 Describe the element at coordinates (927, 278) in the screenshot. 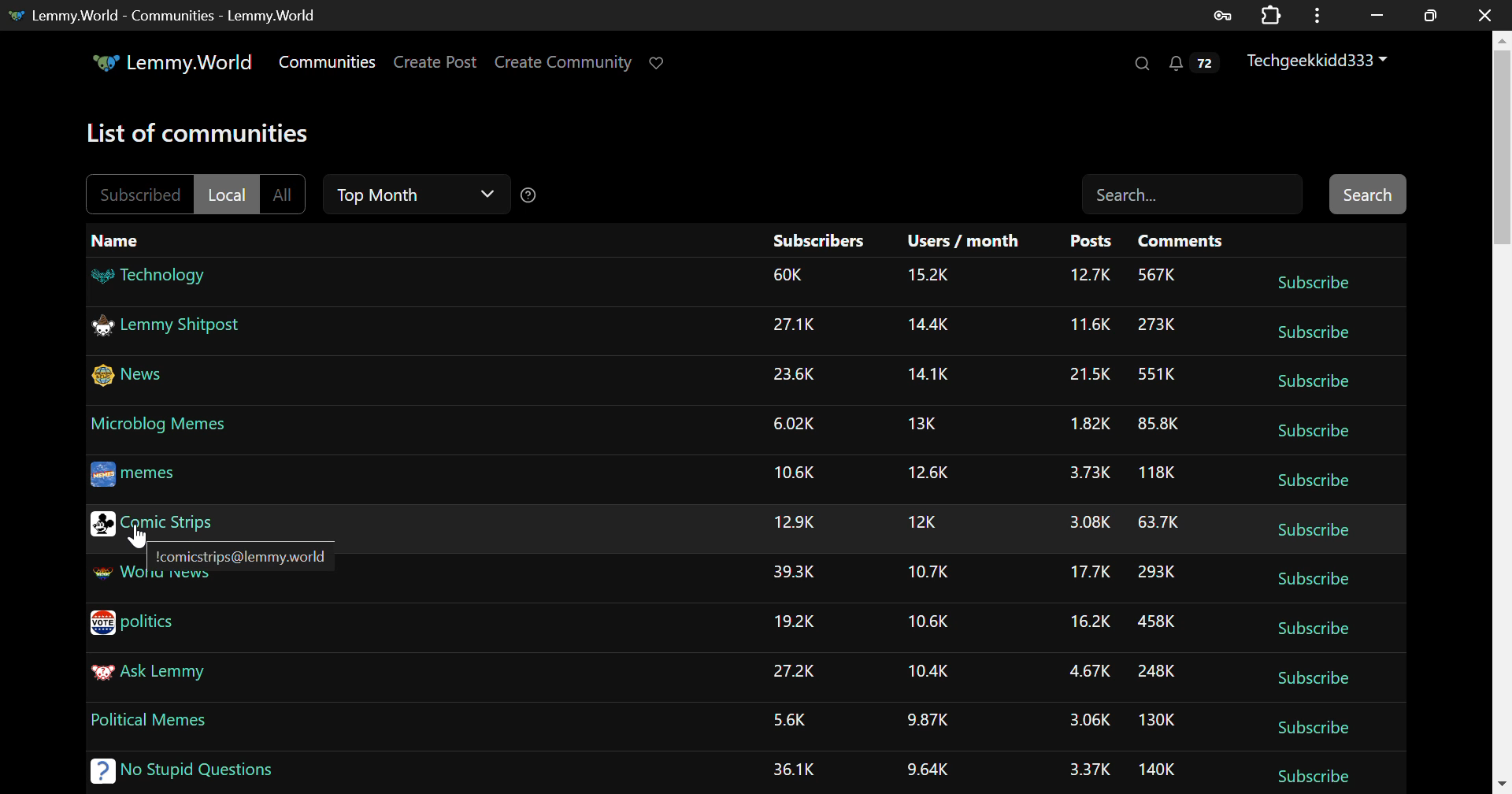

I see `Amount` at that location.